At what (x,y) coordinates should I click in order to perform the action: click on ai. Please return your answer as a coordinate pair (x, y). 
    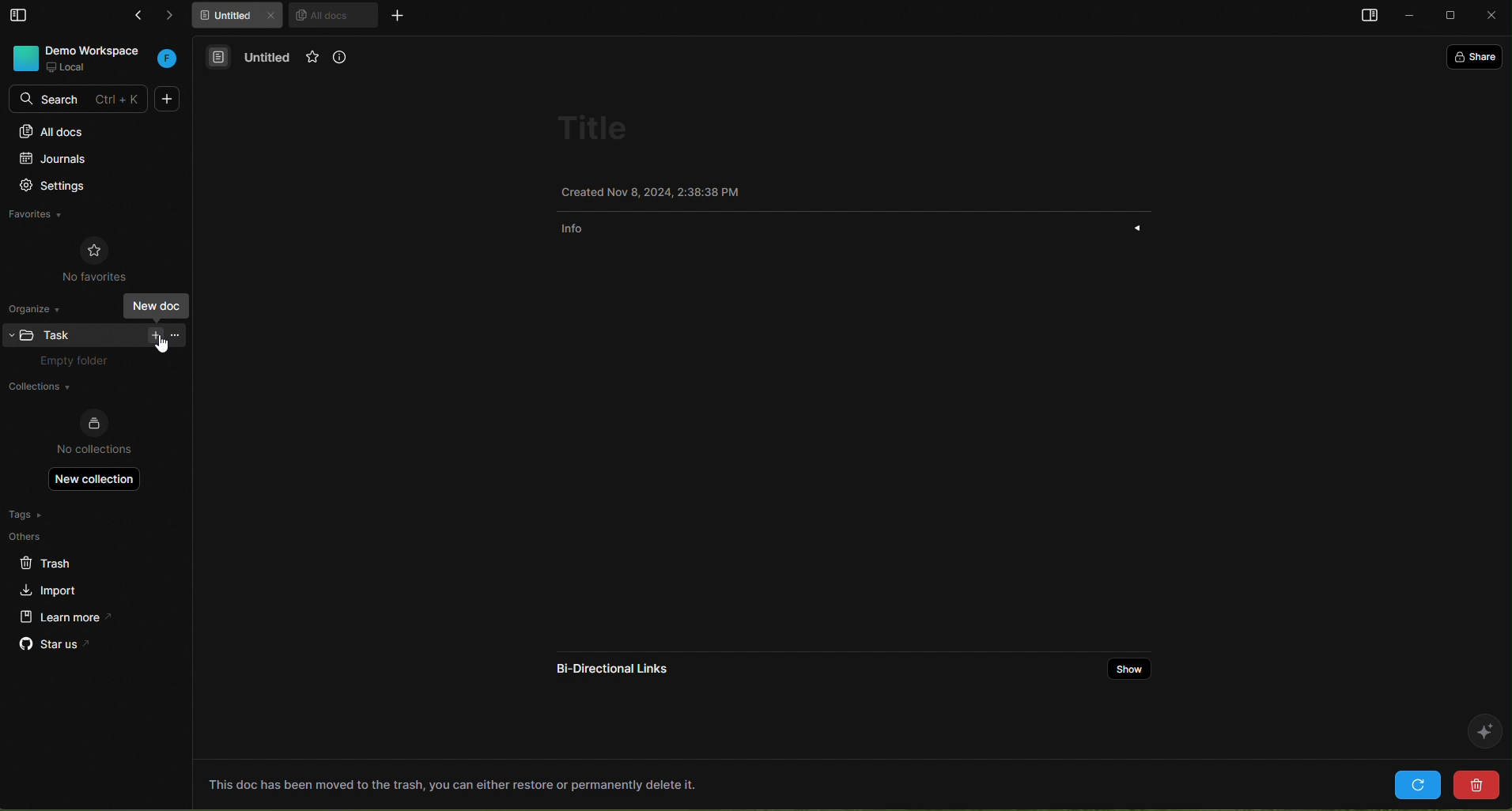
    Looking at the image, I should click on (1482, 730).